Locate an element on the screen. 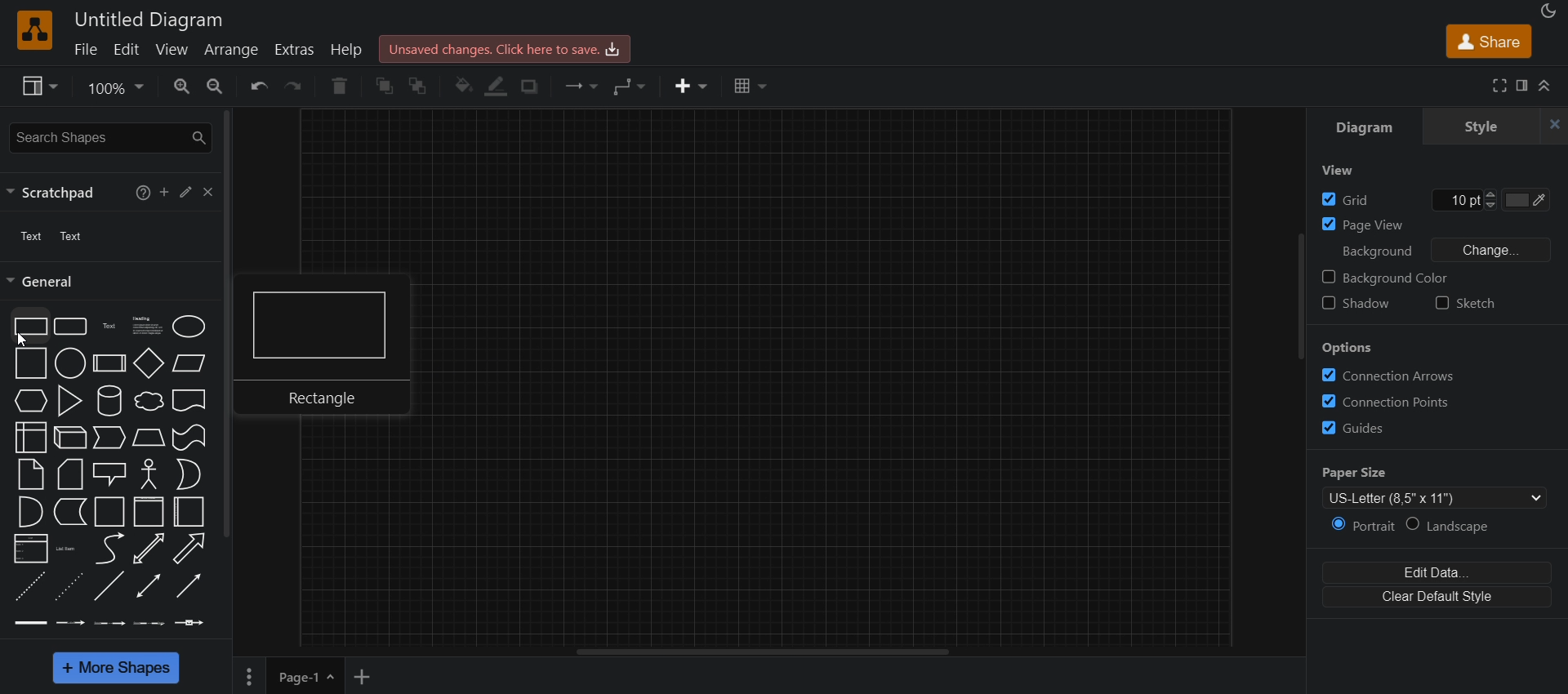  note is located at coordinates (33, 475).